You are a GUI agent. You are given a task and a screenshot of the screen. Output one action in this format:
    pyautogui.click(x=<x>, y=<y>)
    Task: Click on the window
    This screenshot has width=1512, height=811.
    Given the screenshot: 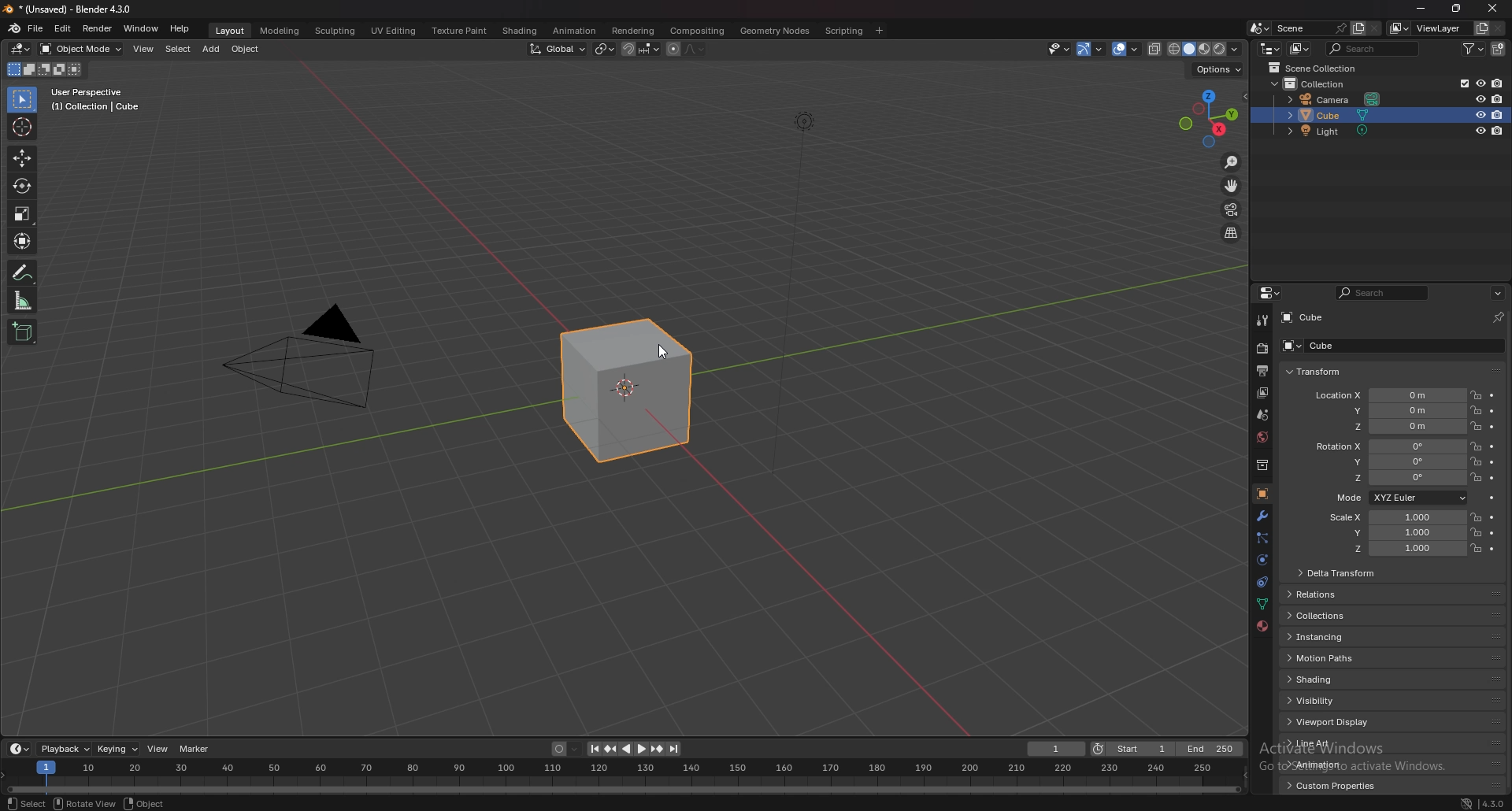 What is the action you would take?
    pyautogui.click(x=141, y=28)
    